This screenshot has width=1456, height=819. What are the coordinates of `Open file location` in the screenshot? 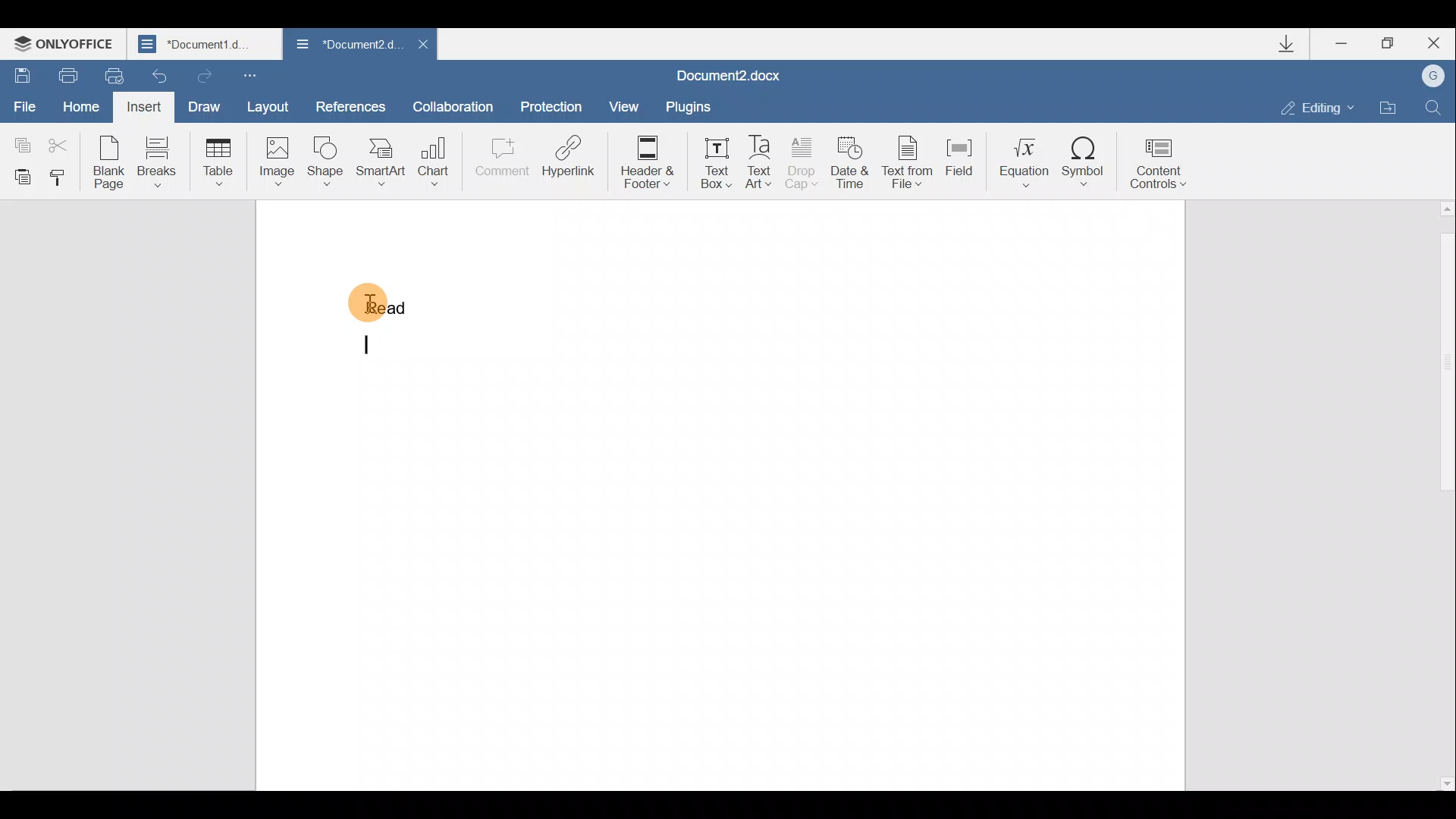 It's located at (1389, 108).